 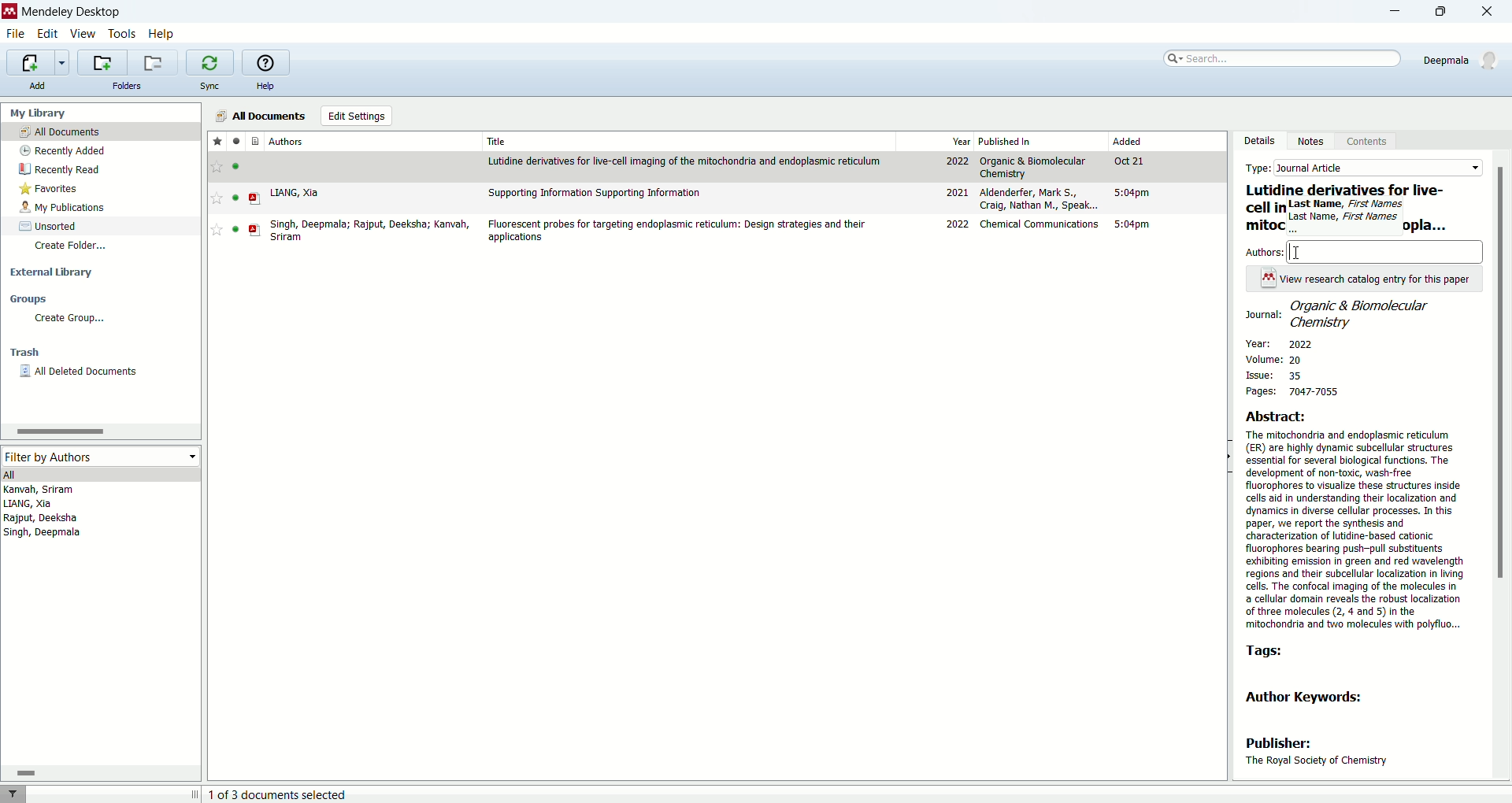 What do you see at coordinates (1502, 465) in the screenshot?
I see `scroll bar` at bounding box center [1502, 465].